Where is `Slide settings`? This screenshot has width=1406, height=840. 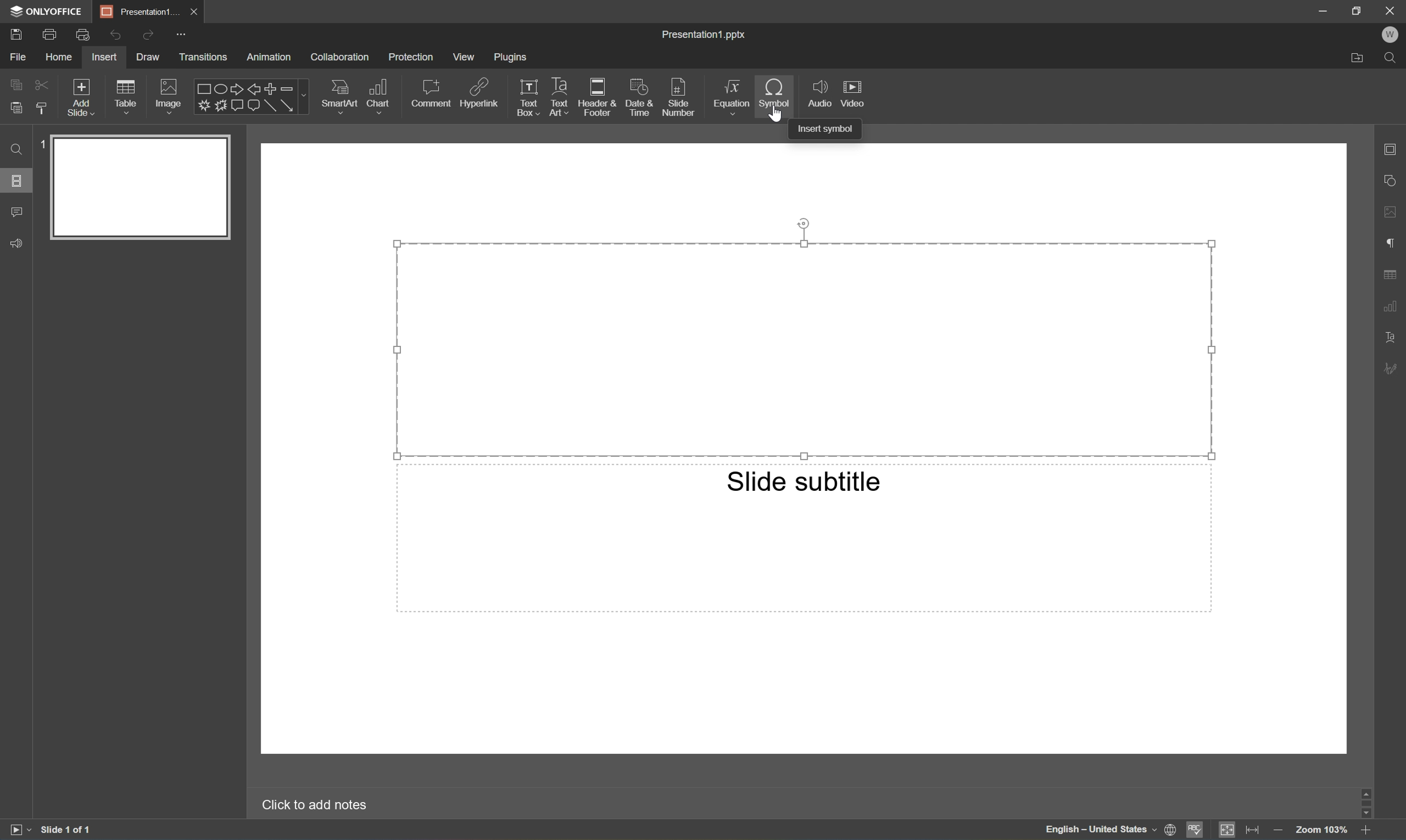
Slide settings is located at coordinates (1390, 149).